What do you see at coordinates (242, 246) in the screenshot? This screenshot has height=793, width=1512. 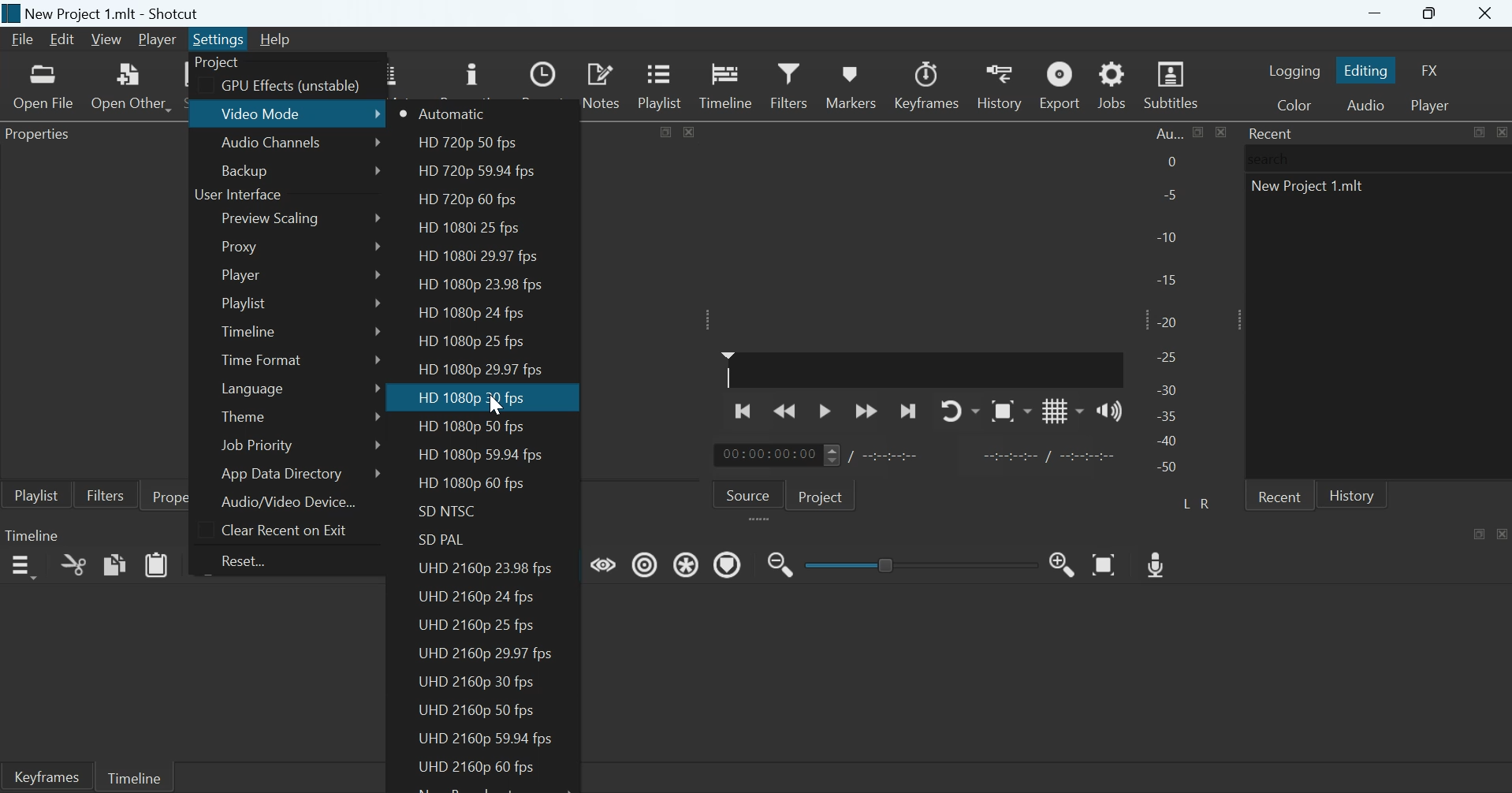 I see `Proxy` at bounding box center [242, 246].